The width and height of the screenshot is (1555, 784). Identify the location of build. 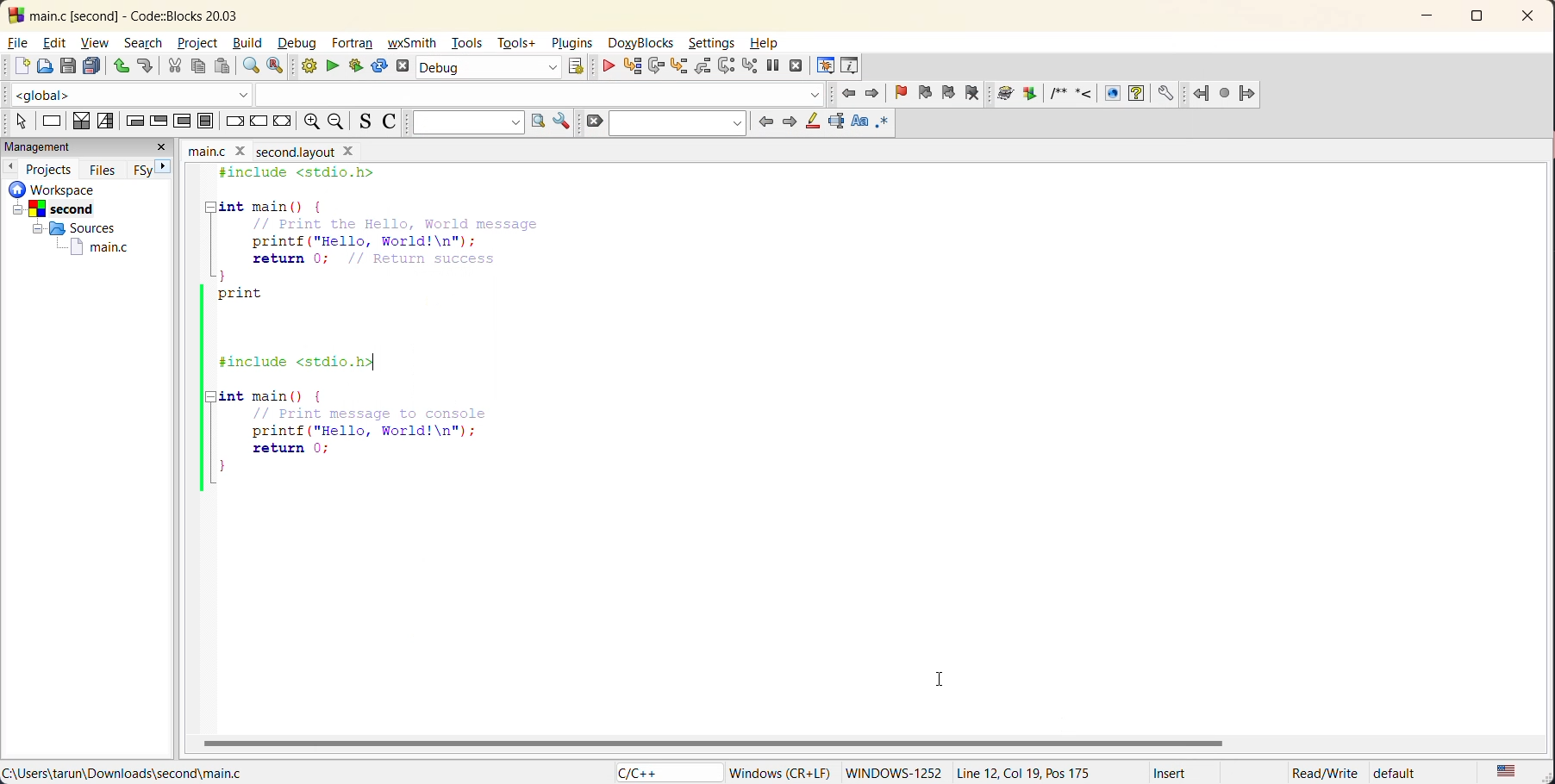
(307, 68).